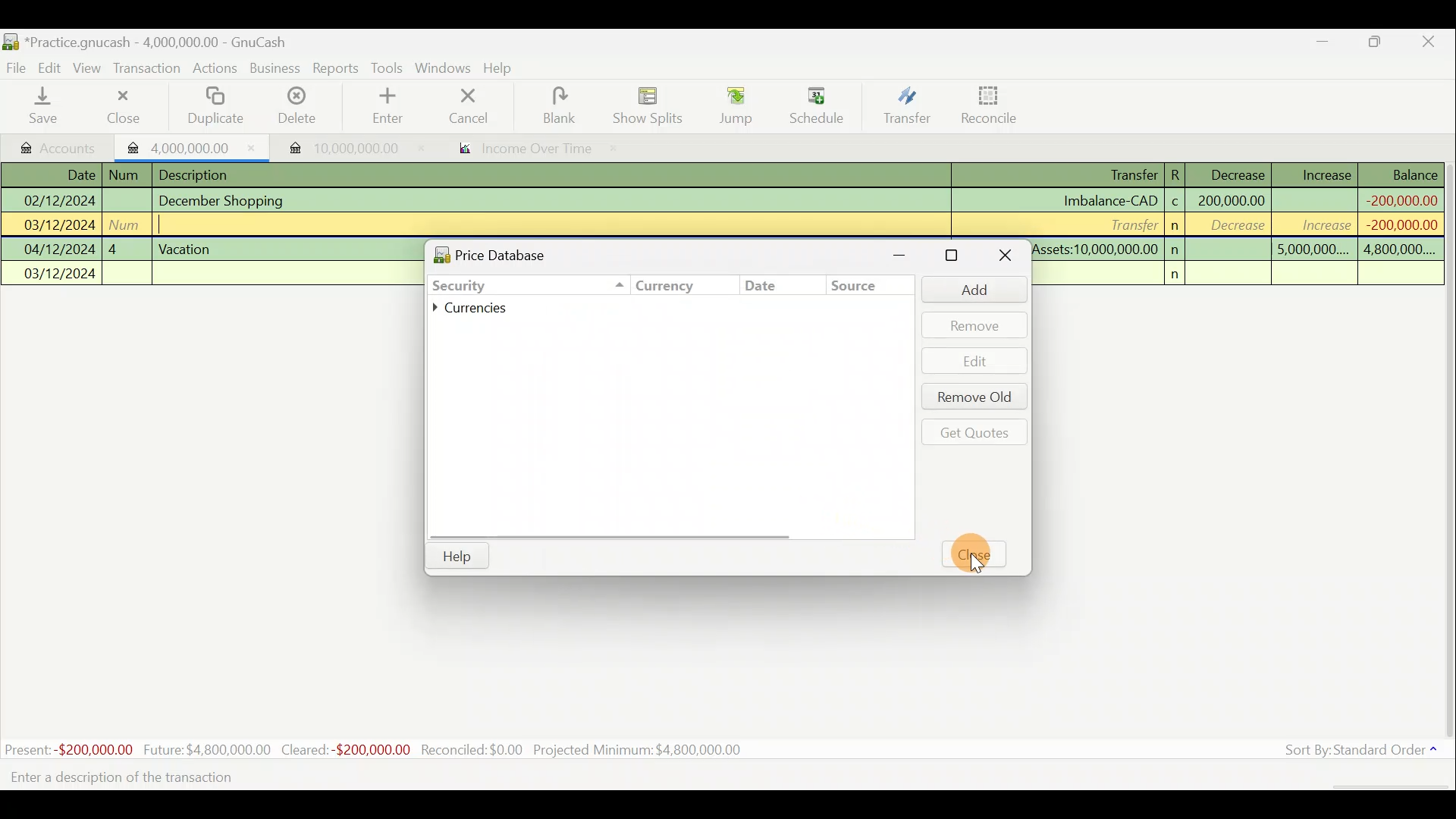  What do you see at coordinates (1180, 275) in the screenshot?
I see `n` at bounding box center [1180, 275].